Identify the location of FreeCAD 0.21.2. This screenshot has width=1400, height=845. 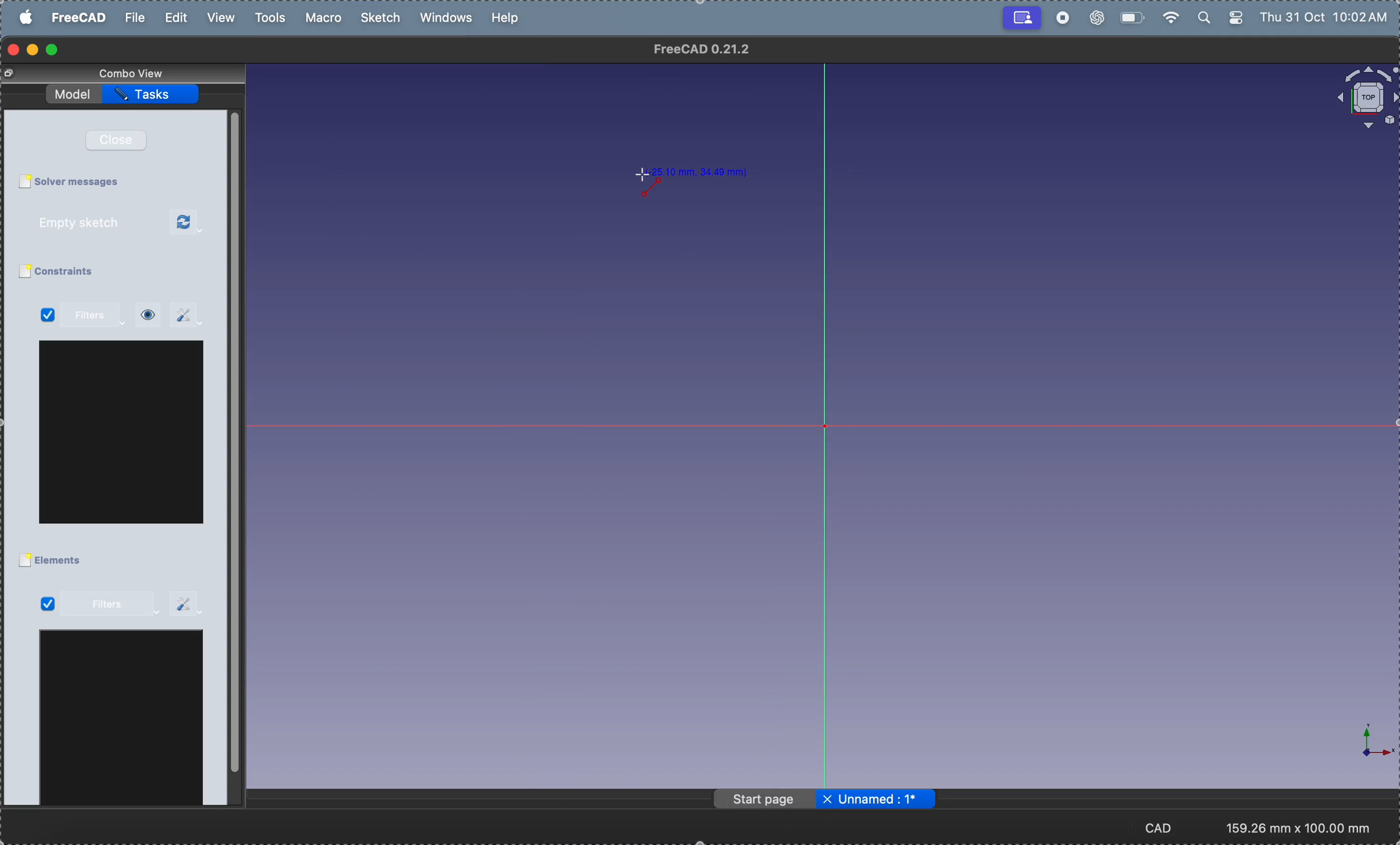
(703, 49).